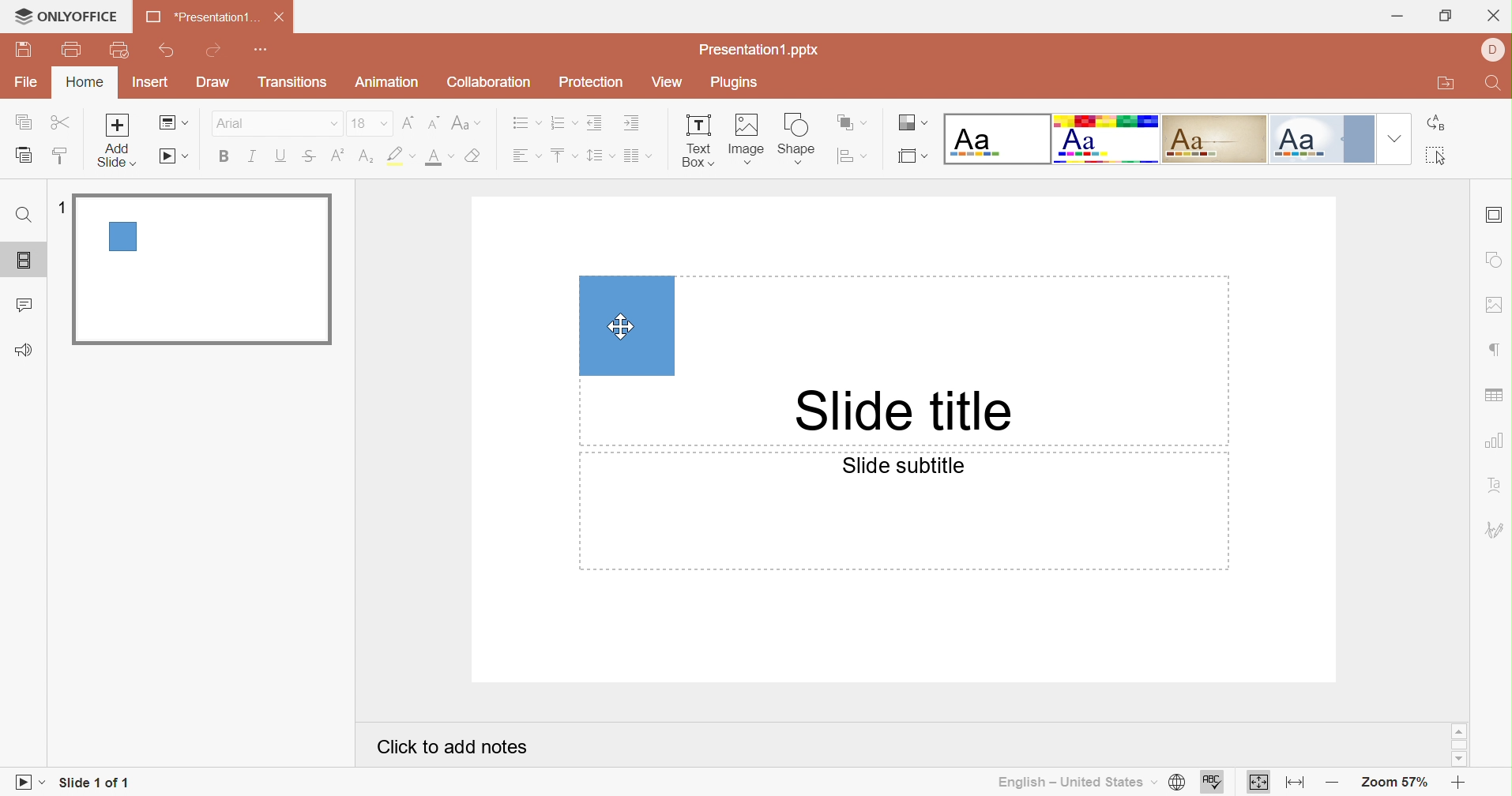  Describe the element at coordinates (1457, 730) in the screenshot. I see `Scroll up` at that location.